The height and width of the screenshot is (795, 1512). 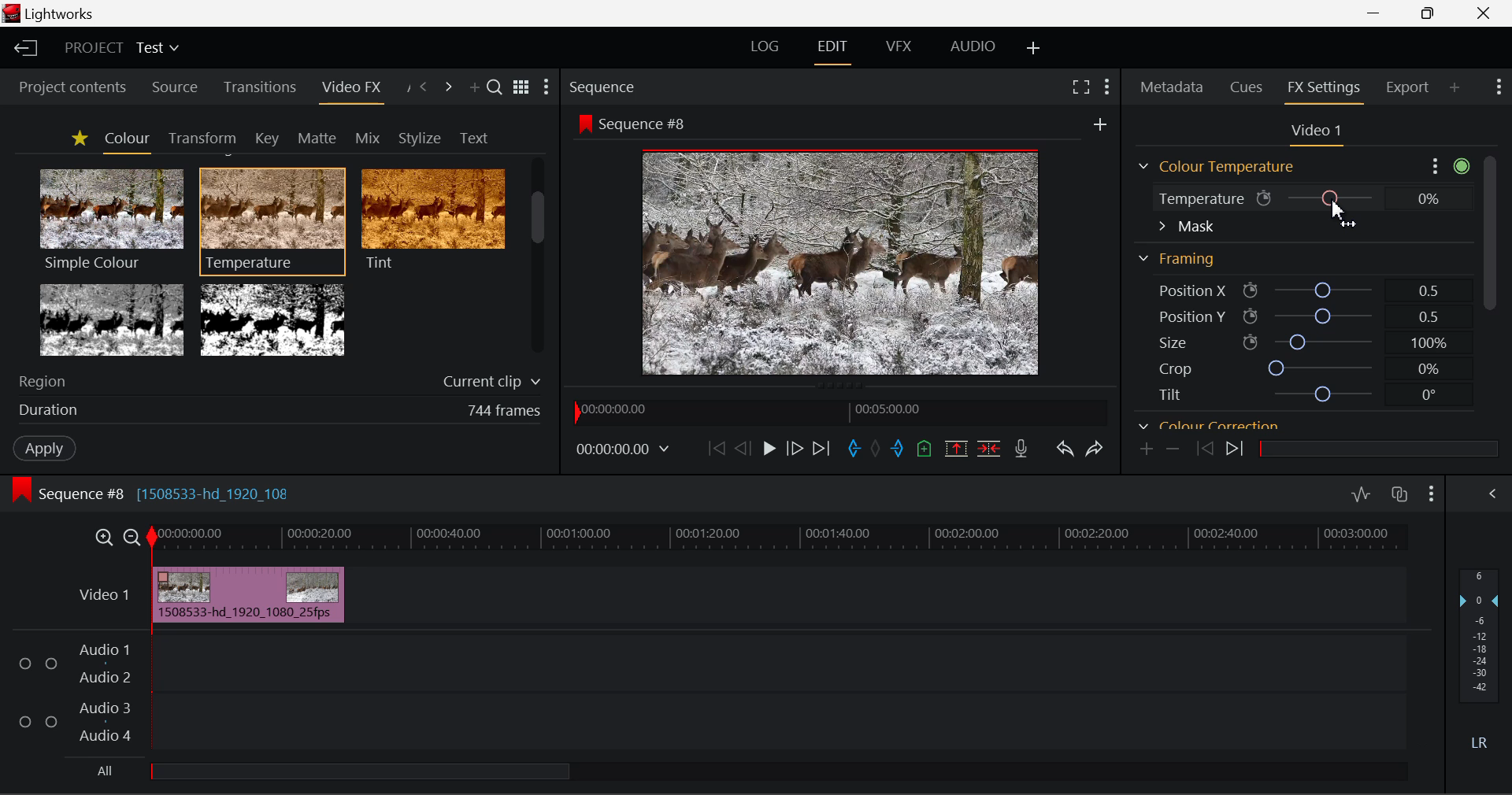 What do you see at coordinates (1323, 367) in the screenshot?
I see `crop` at bounding box center [1323, 367].